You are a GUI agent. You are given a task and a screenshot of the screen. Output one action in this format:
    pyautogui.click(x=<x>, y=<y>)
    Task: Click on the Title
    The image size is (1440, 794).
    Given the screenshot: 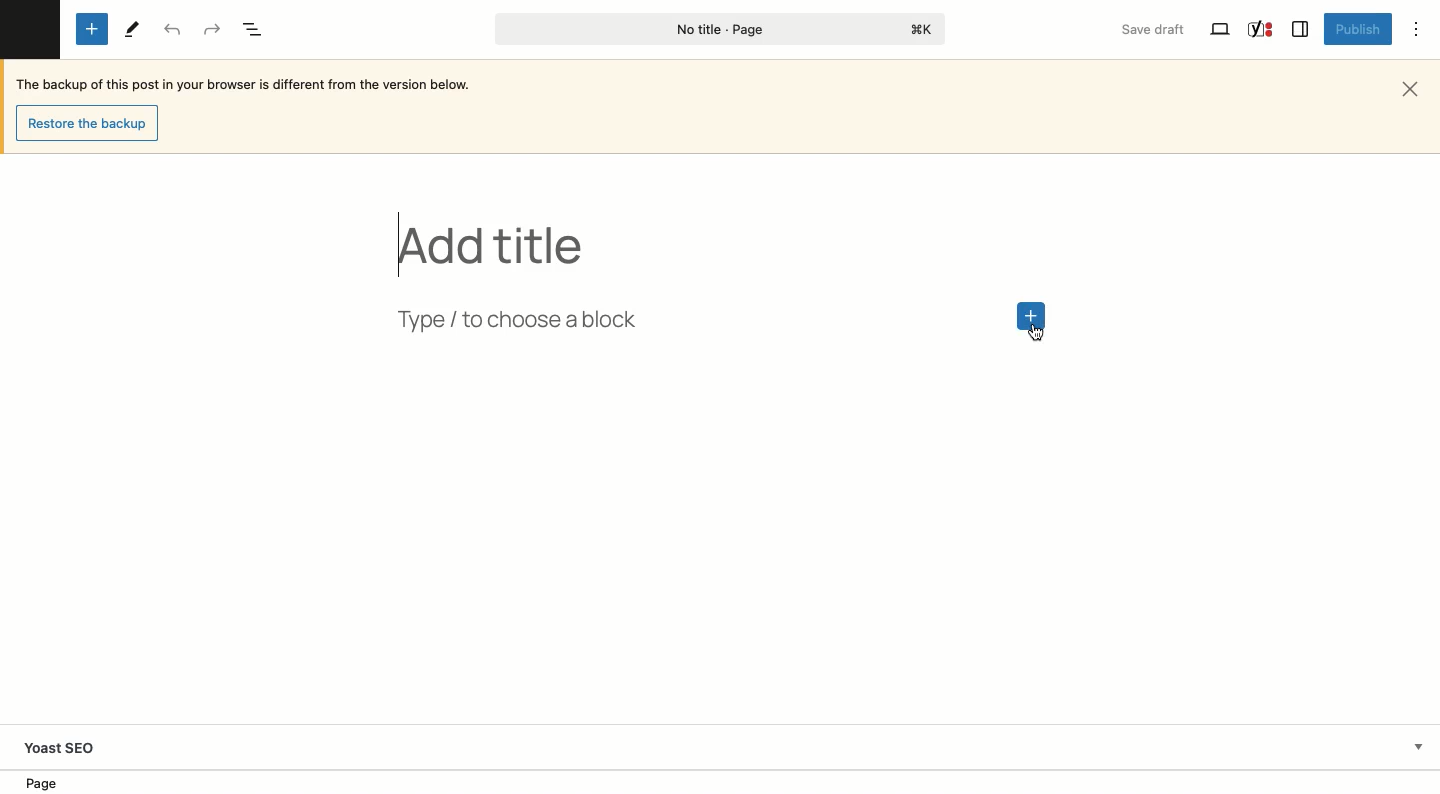 What is the action you would take?
    pyautogui.click(x=497, y=245)
    